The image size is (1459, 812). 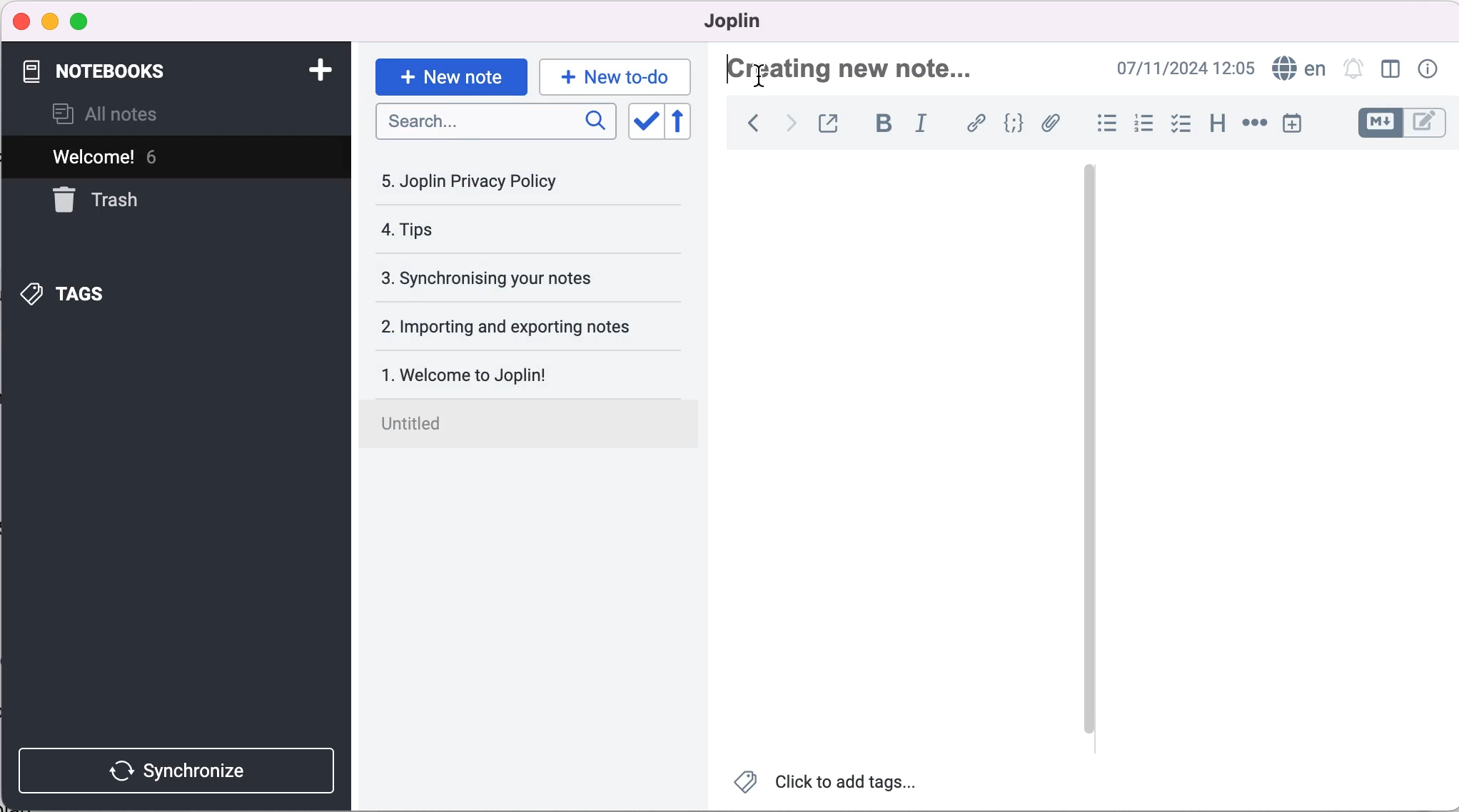 What do you see at coordinates (1091, 199) in the screenshot?
I see `vertical slider` at bounding box center [1091, 199].